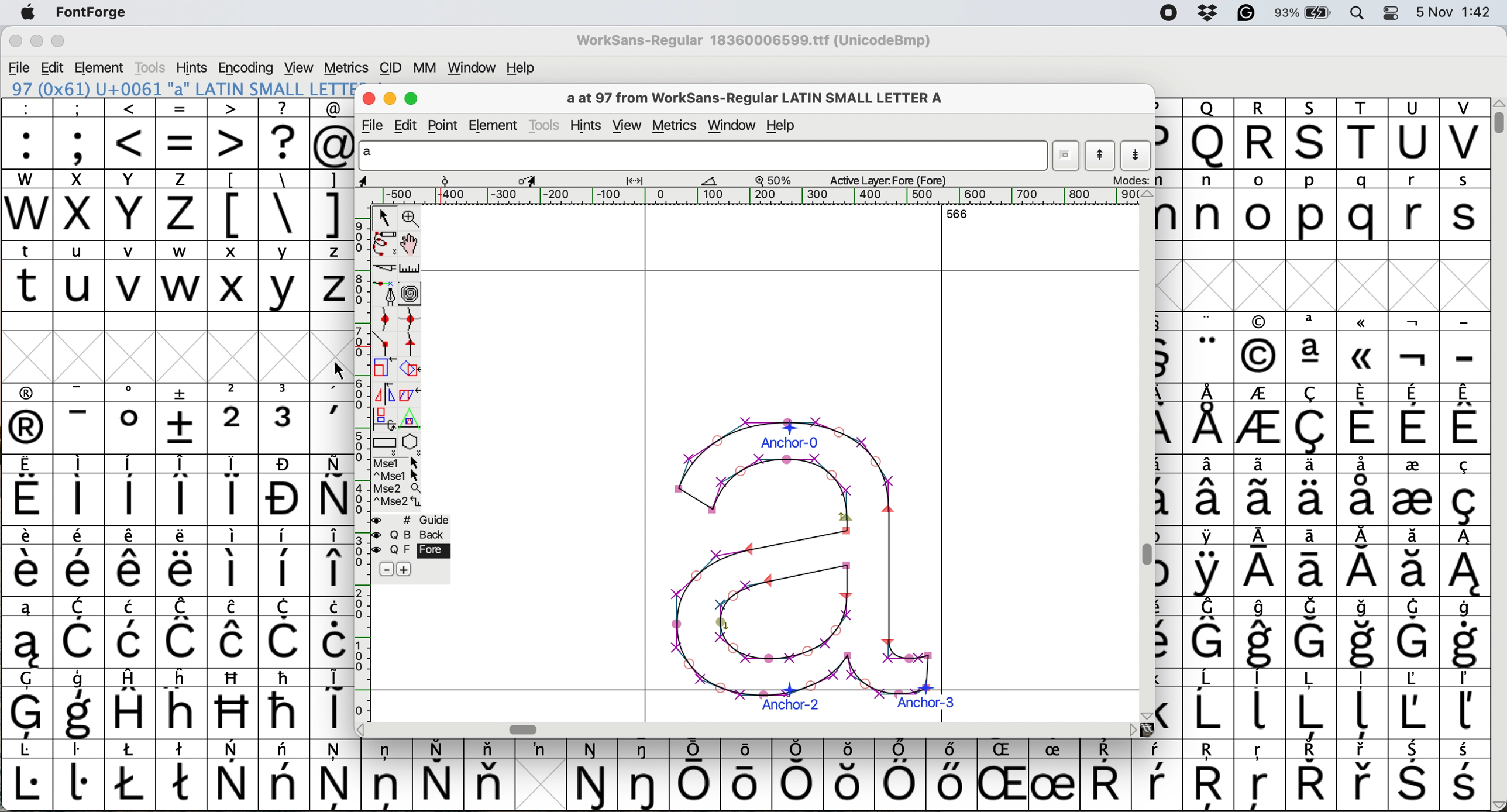 The image size is (1507, 812). Describe the element at coordinates (285, 490) in the screenshot. I see `symbol` at that location.